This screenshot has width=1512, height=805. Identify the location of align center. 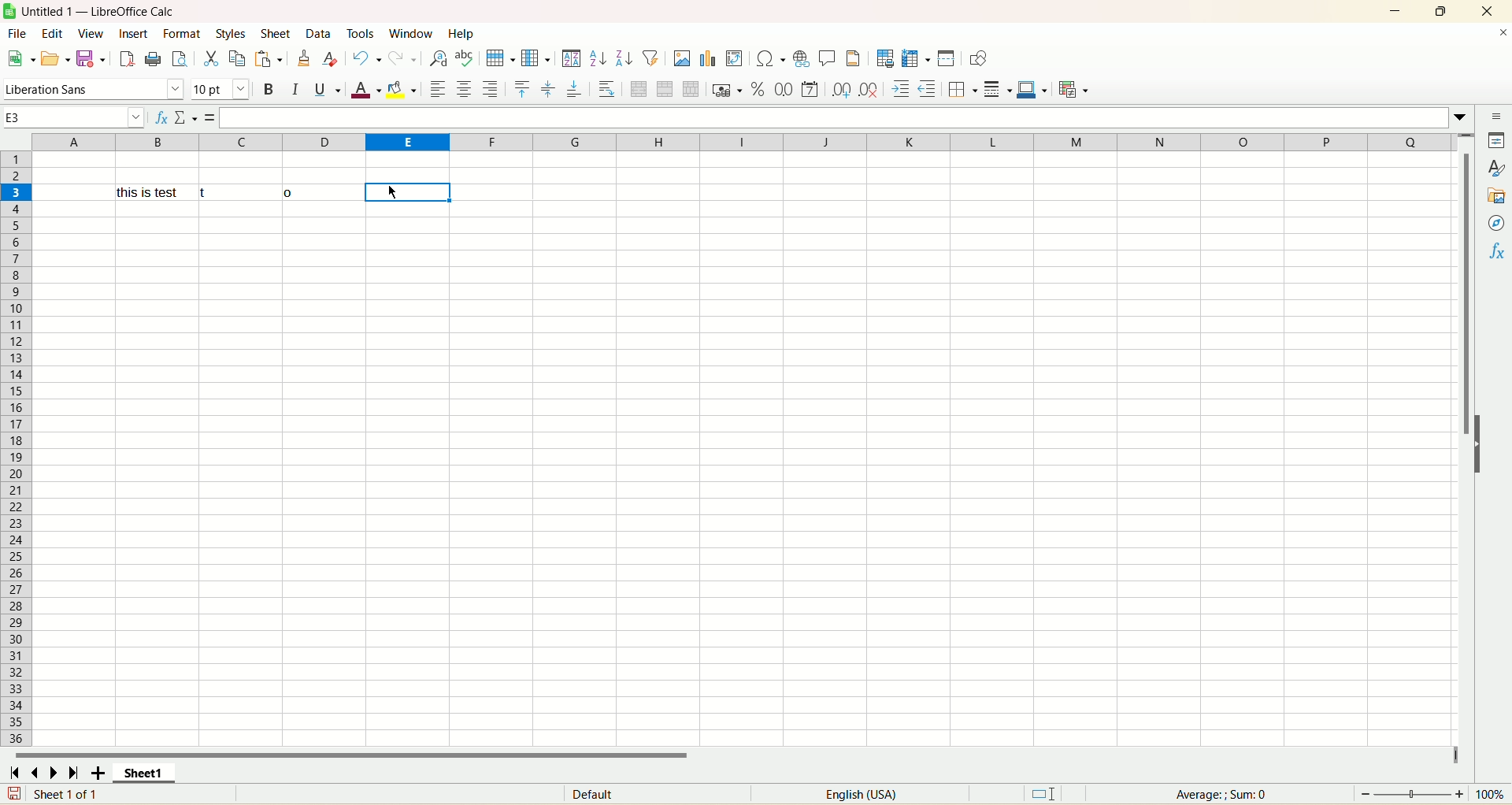
(548, 88).